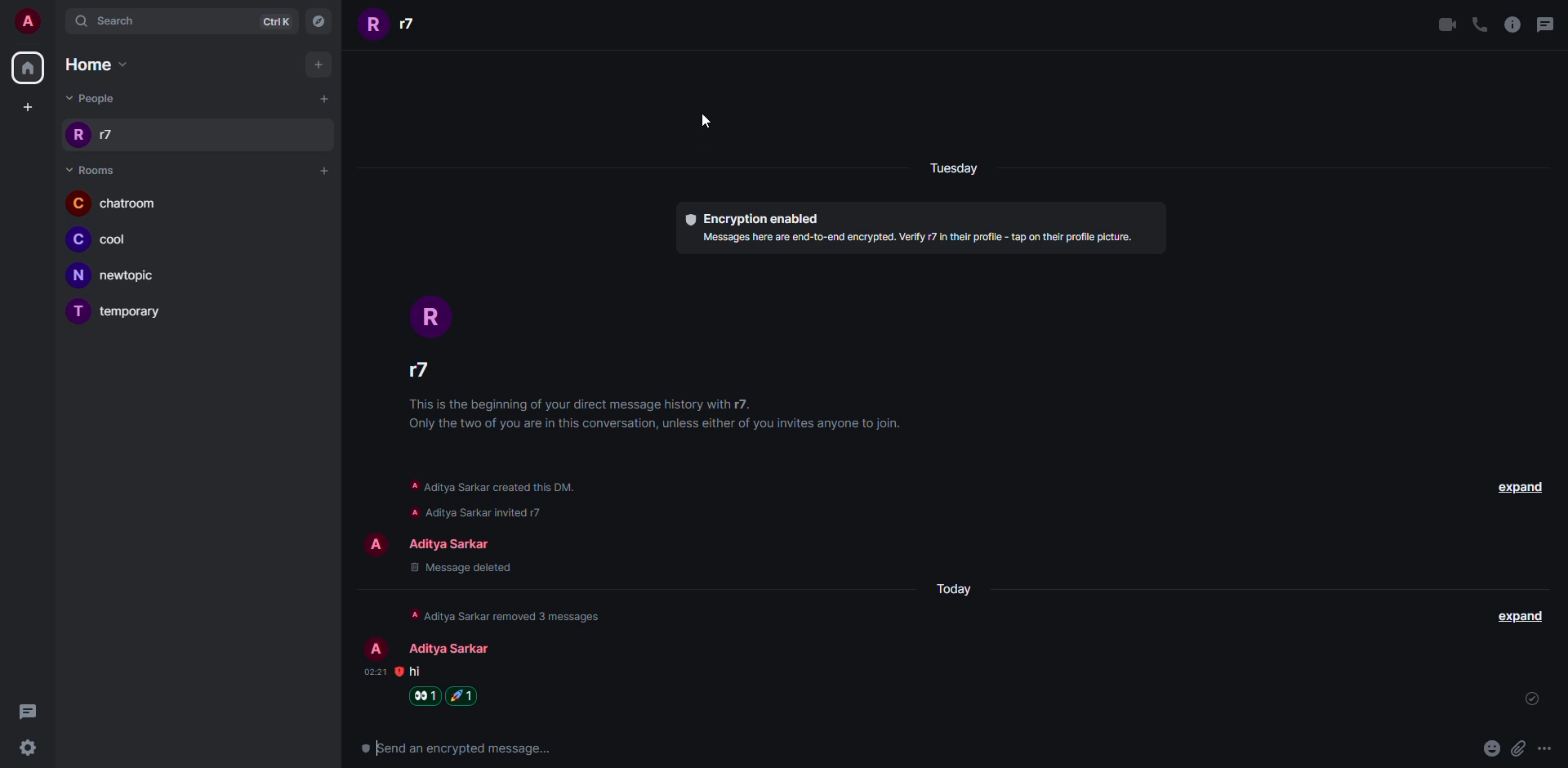 The image size is (1568, 768). Describe the element at coordinates (955, 587) in the screenshot. I see `day` at that location.